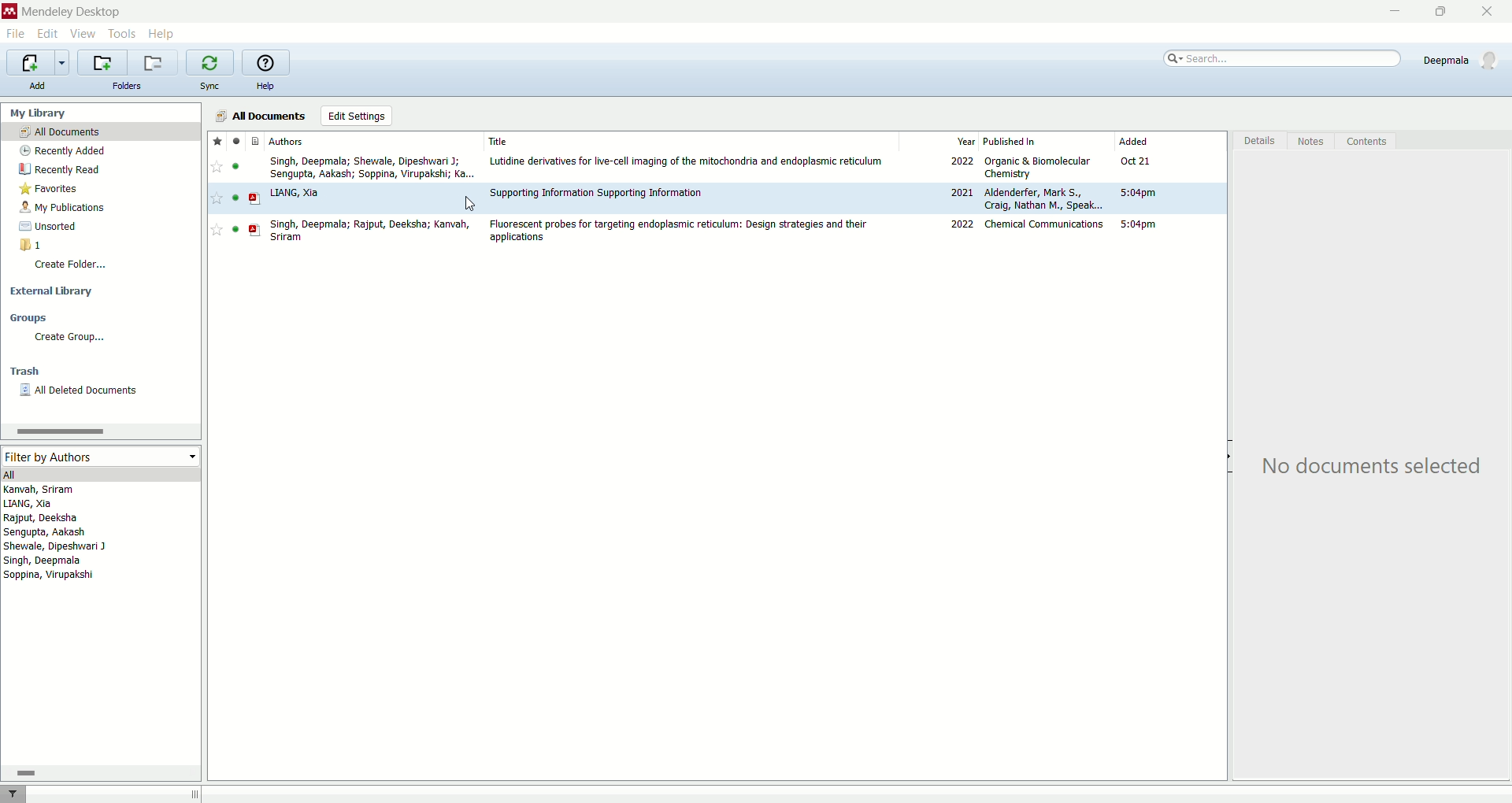 Image resolution: width=1512 pixels, height=803 pixels. What do you see at coordinates (1228, 456) in the screenshot?
I see `toggle hide/show` at bounding box center [1228, 456].